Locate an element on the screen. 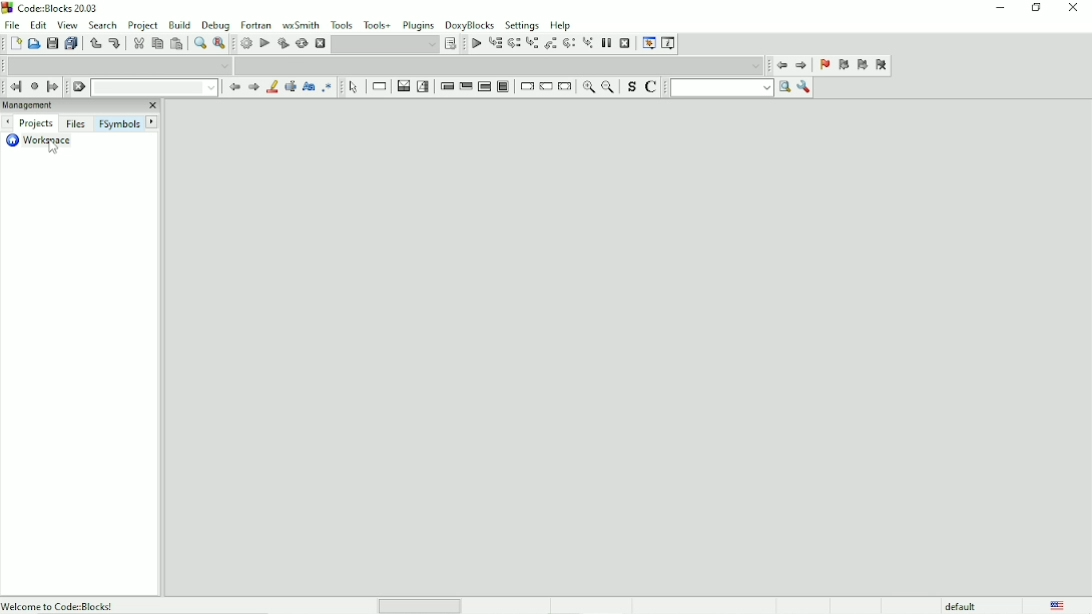 The width and height of the screenshot is (1092, 614). Return instruction is located at coordinates (565, 87).